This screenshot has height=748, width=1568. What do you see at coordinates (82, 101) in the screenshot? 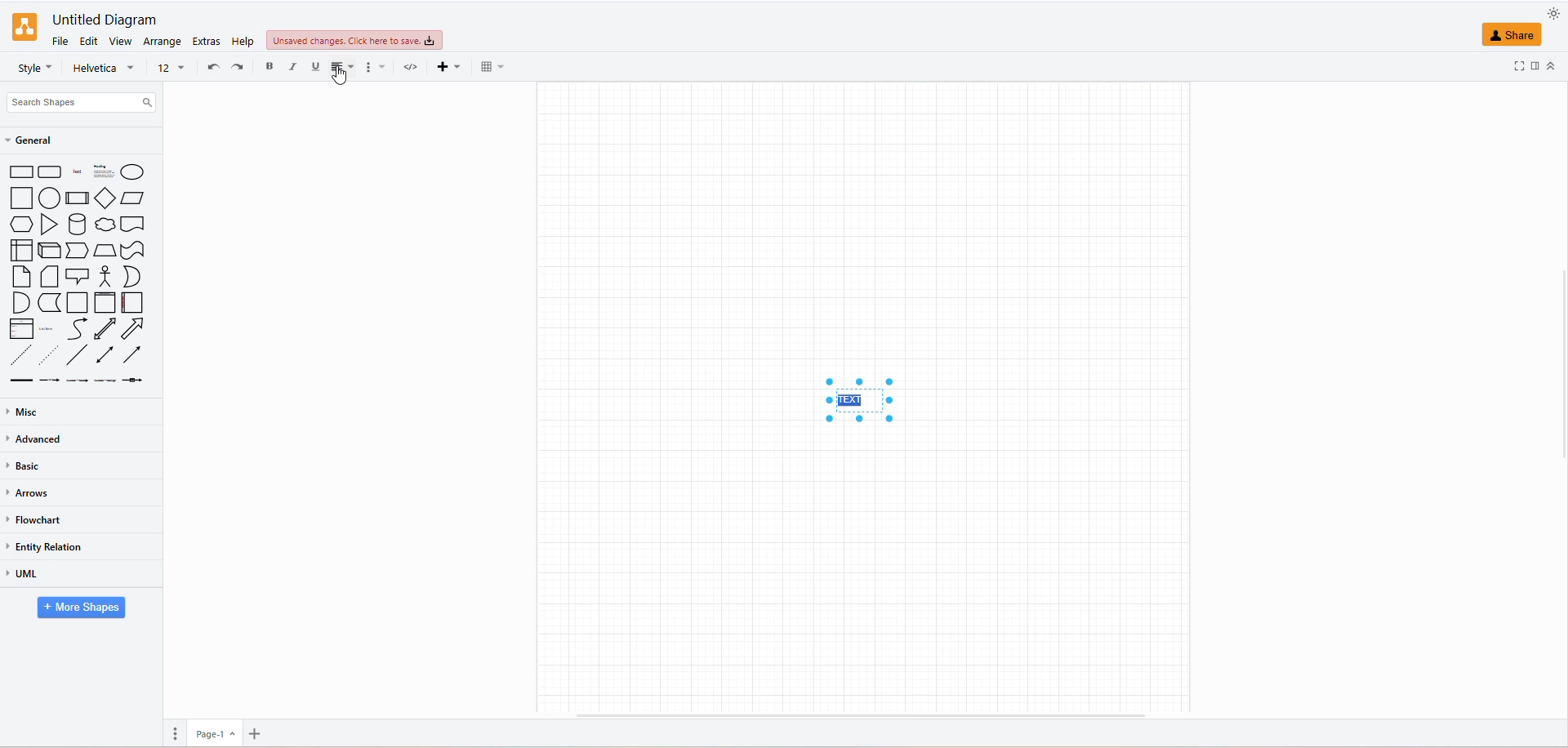
I see `search shapes` at bounding box center [82, 101].